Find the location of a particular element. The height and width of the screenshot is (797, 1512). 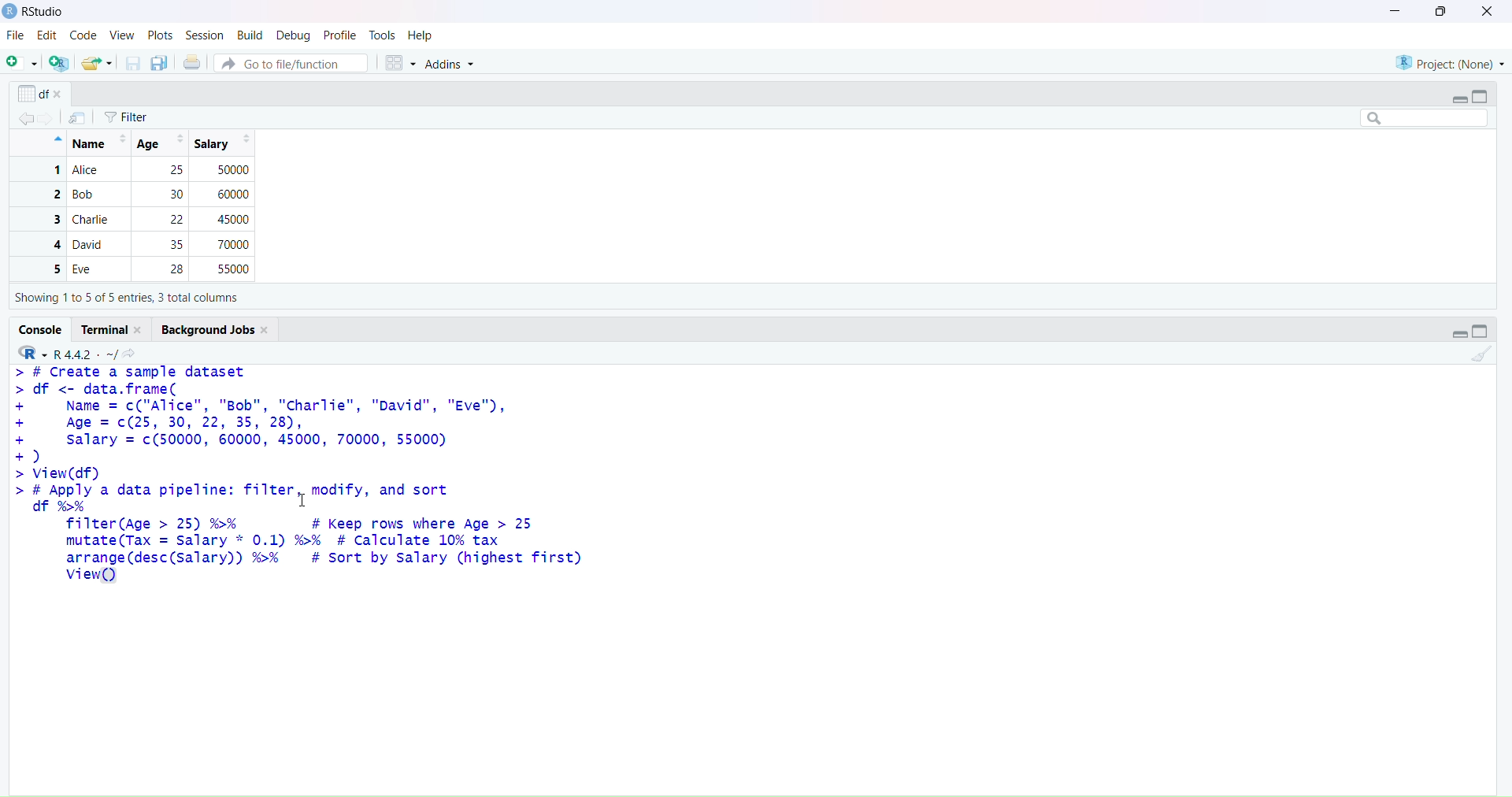

background jobs is located at coordinates (217, 330).